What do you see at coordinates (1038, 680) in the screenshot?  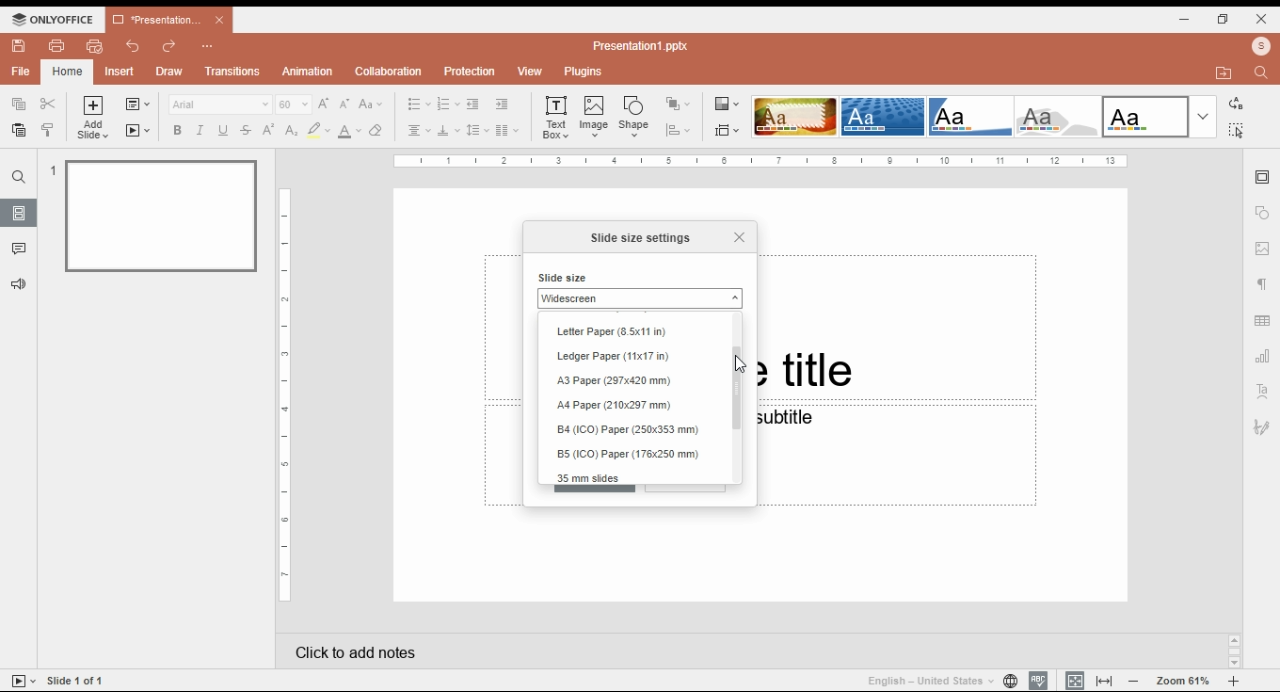 I see `spell check` at bounding box center [1038, 680].